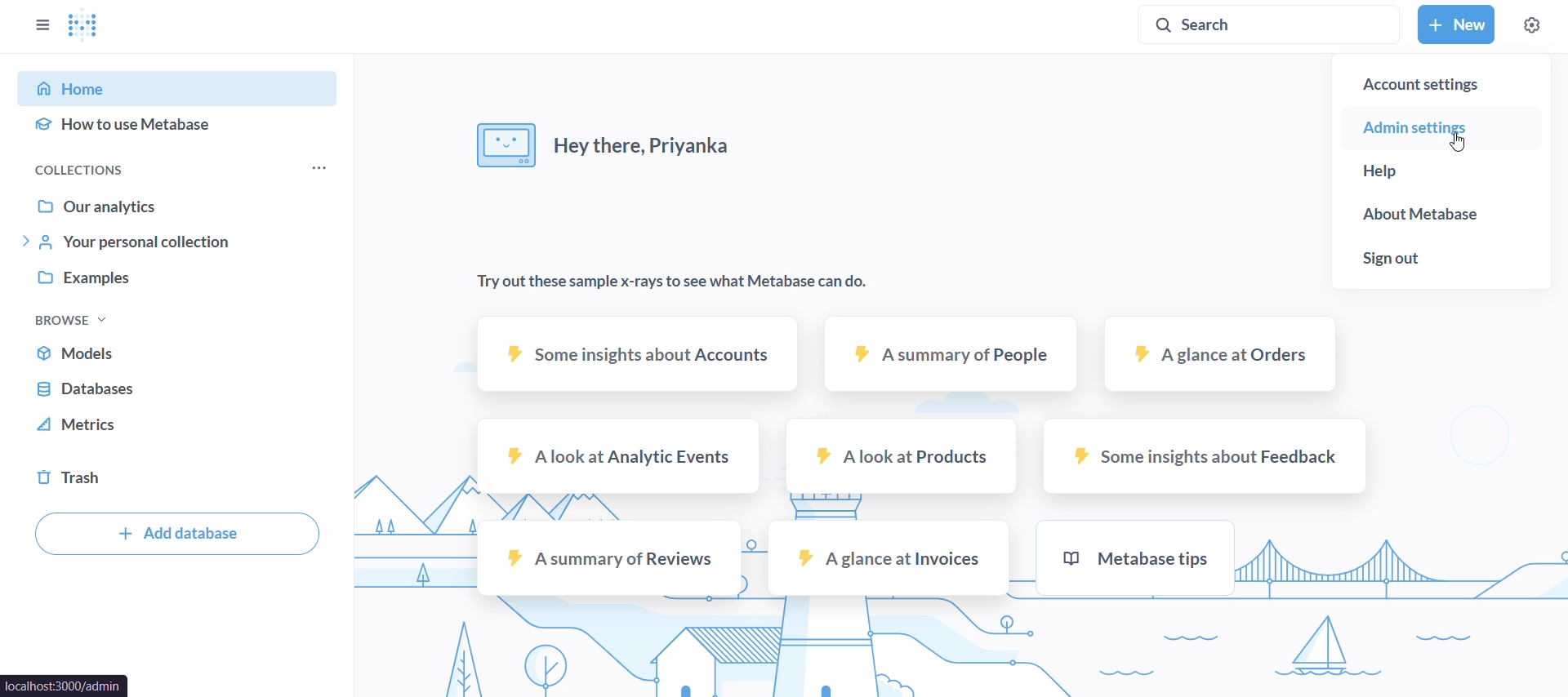 This screenshot has height=697, width=1568. I want to click on examples, so click(182, 279).